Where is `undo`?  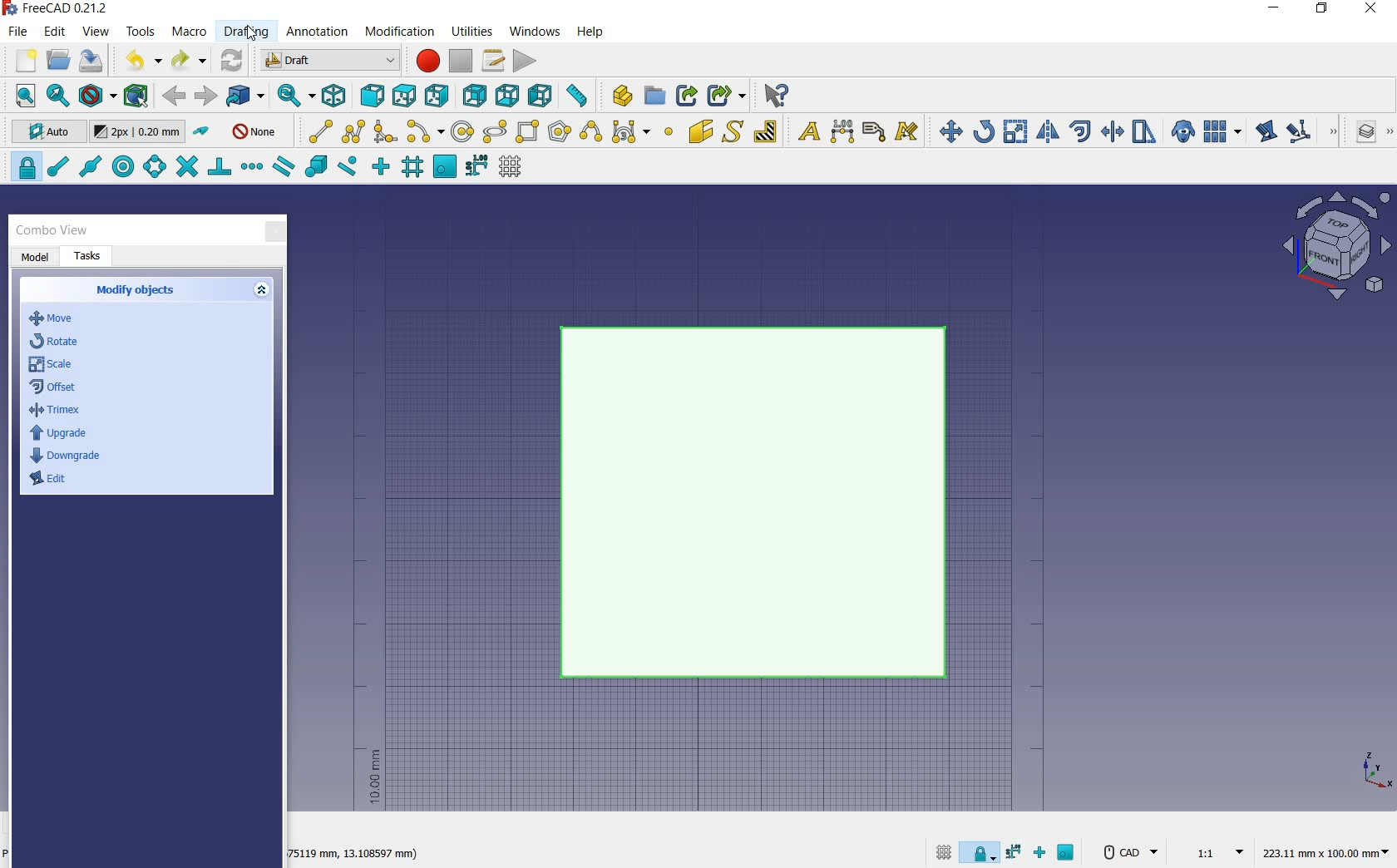
undo is located at coordinates (142, 60).